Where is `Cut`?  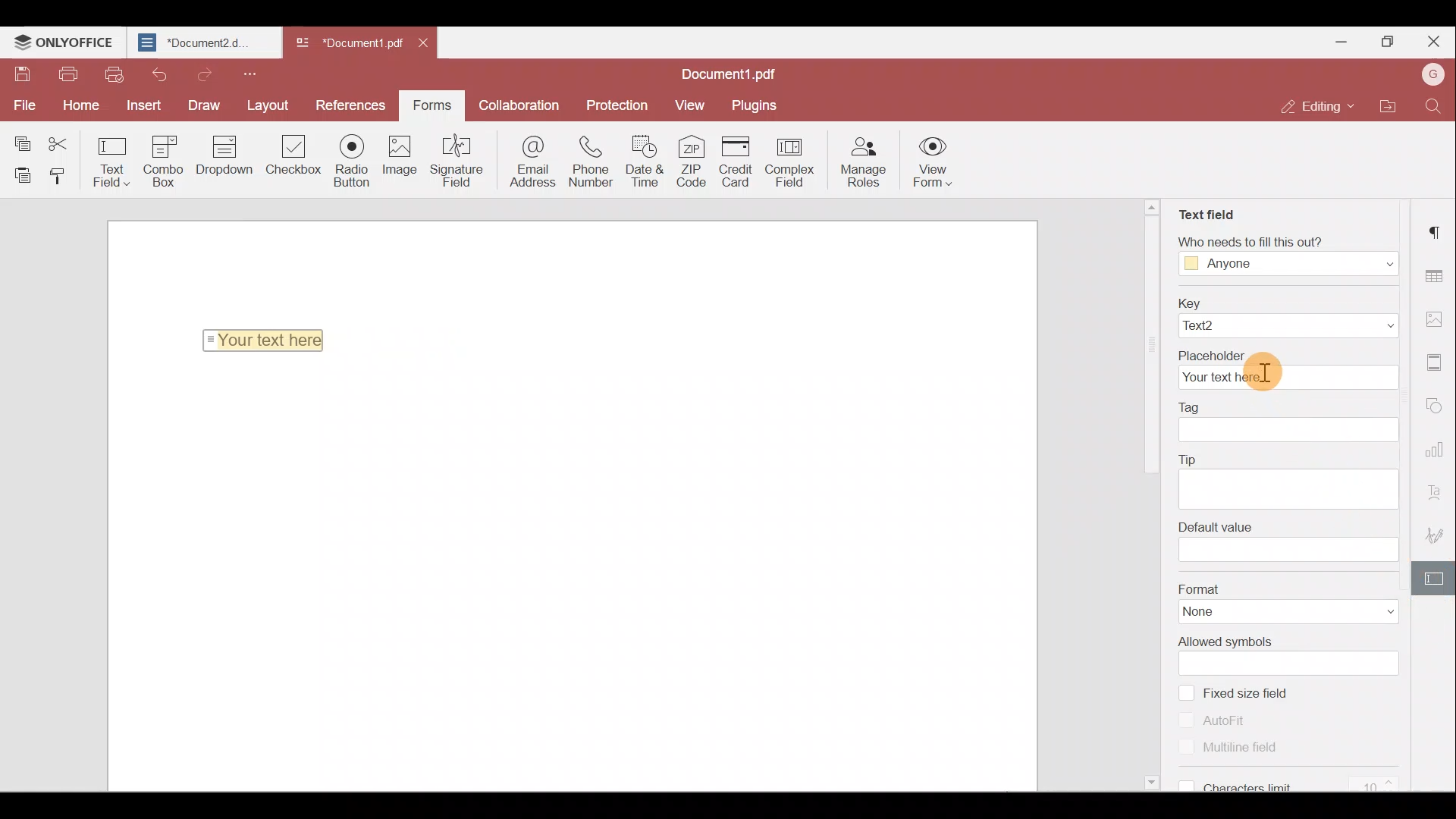 Cut is located at coordinates (64, 140).